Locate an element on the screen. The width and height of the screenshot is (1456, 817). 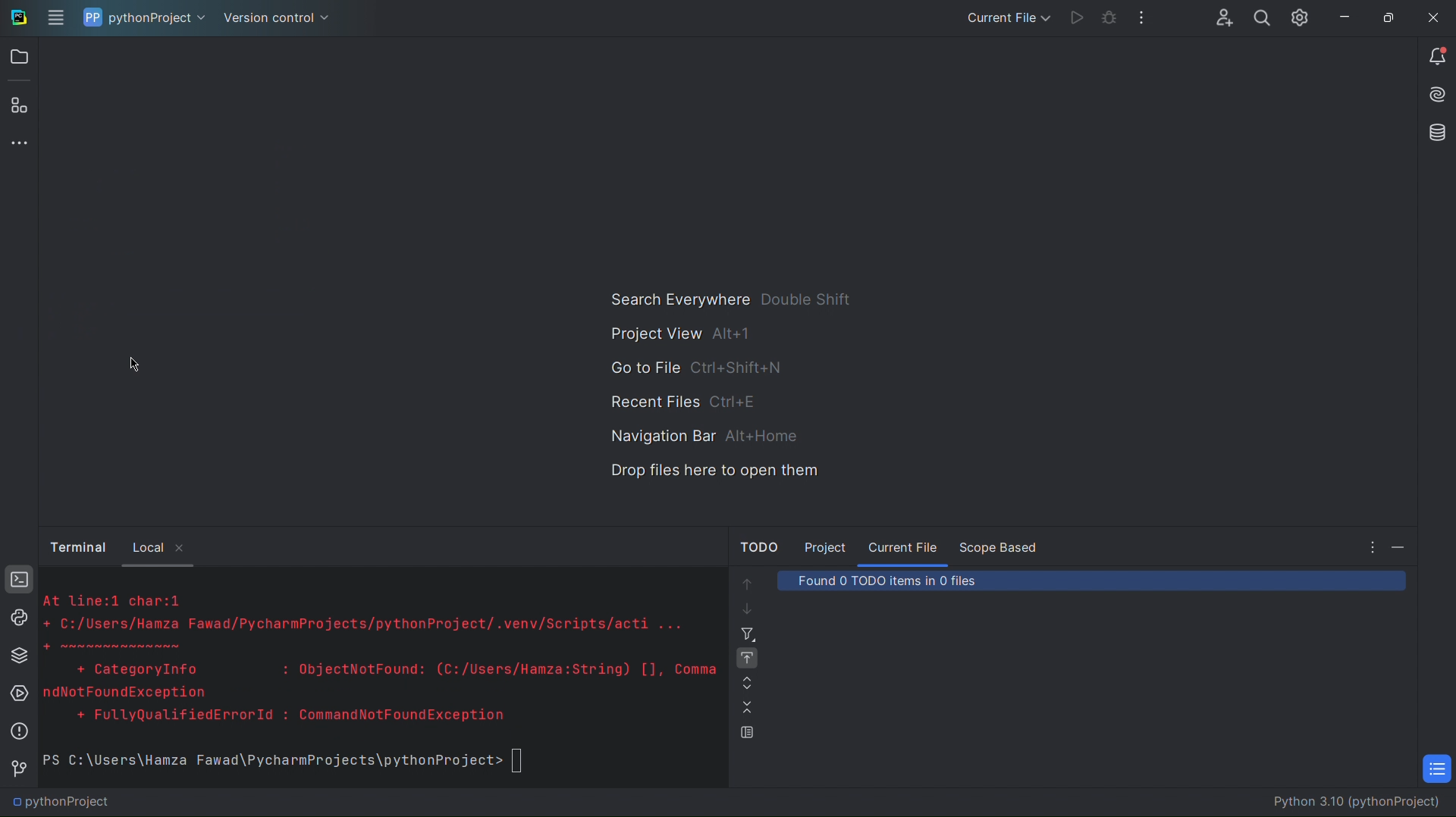
Move up is located at coordinates (749, 584).